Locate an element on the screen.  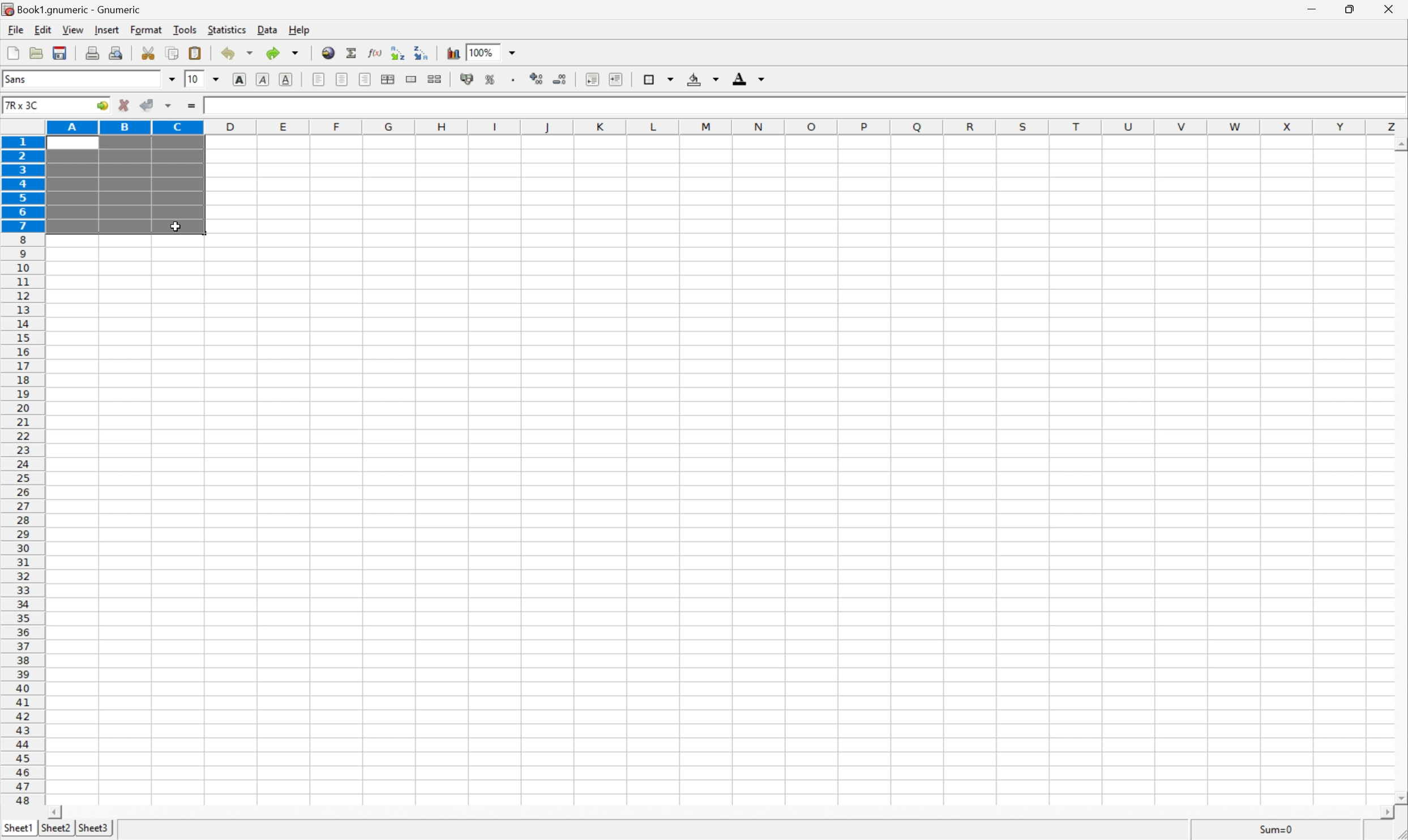
insert hyperlink is located at coordinates (327, 52).